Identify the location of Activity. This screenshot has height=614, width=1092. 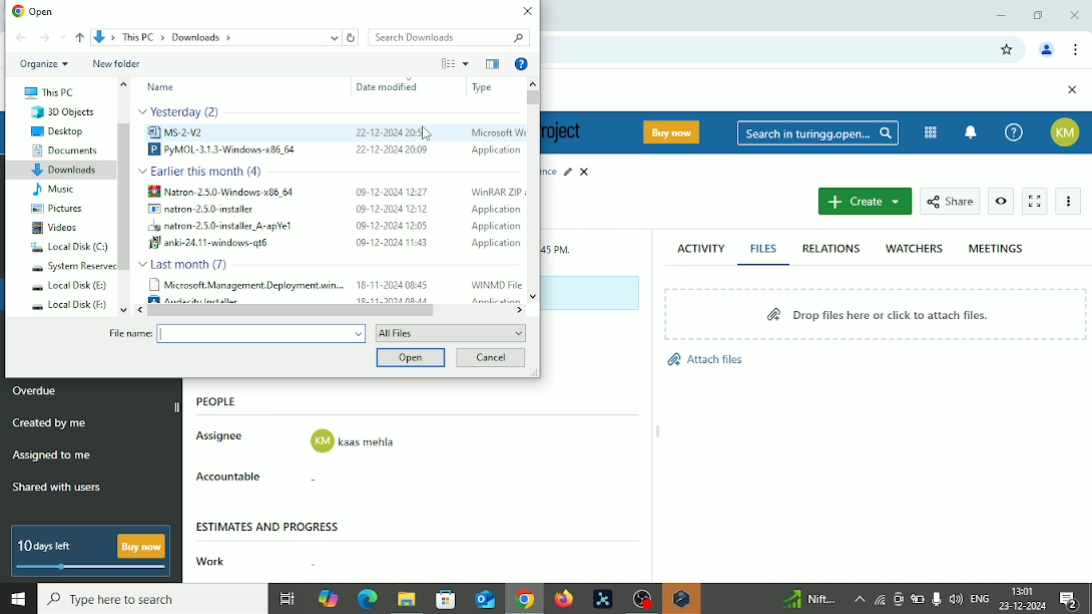
(700, 246).